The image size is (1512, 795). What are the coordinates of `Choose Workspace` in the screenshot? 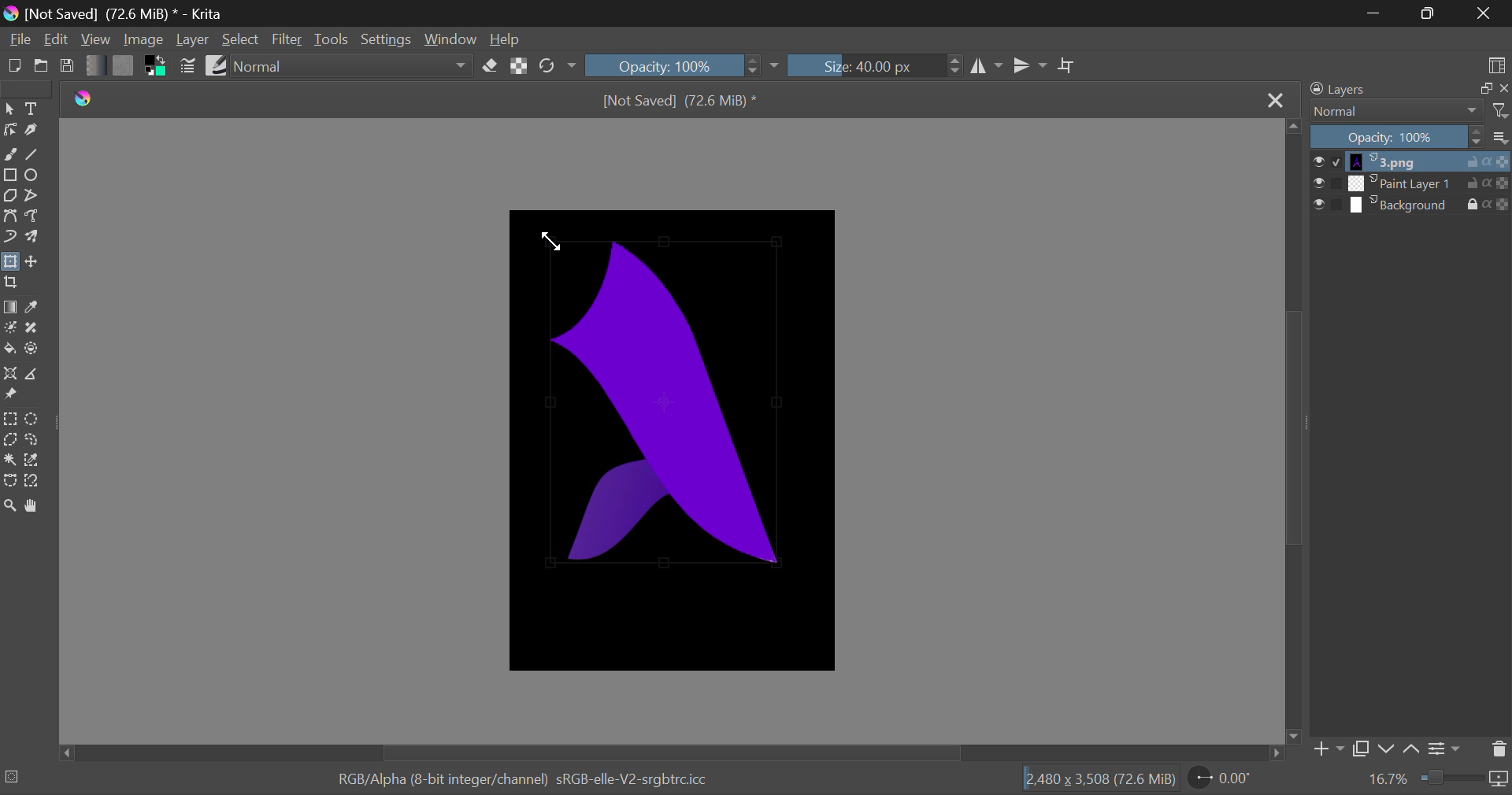 It's located at (1497, 65).